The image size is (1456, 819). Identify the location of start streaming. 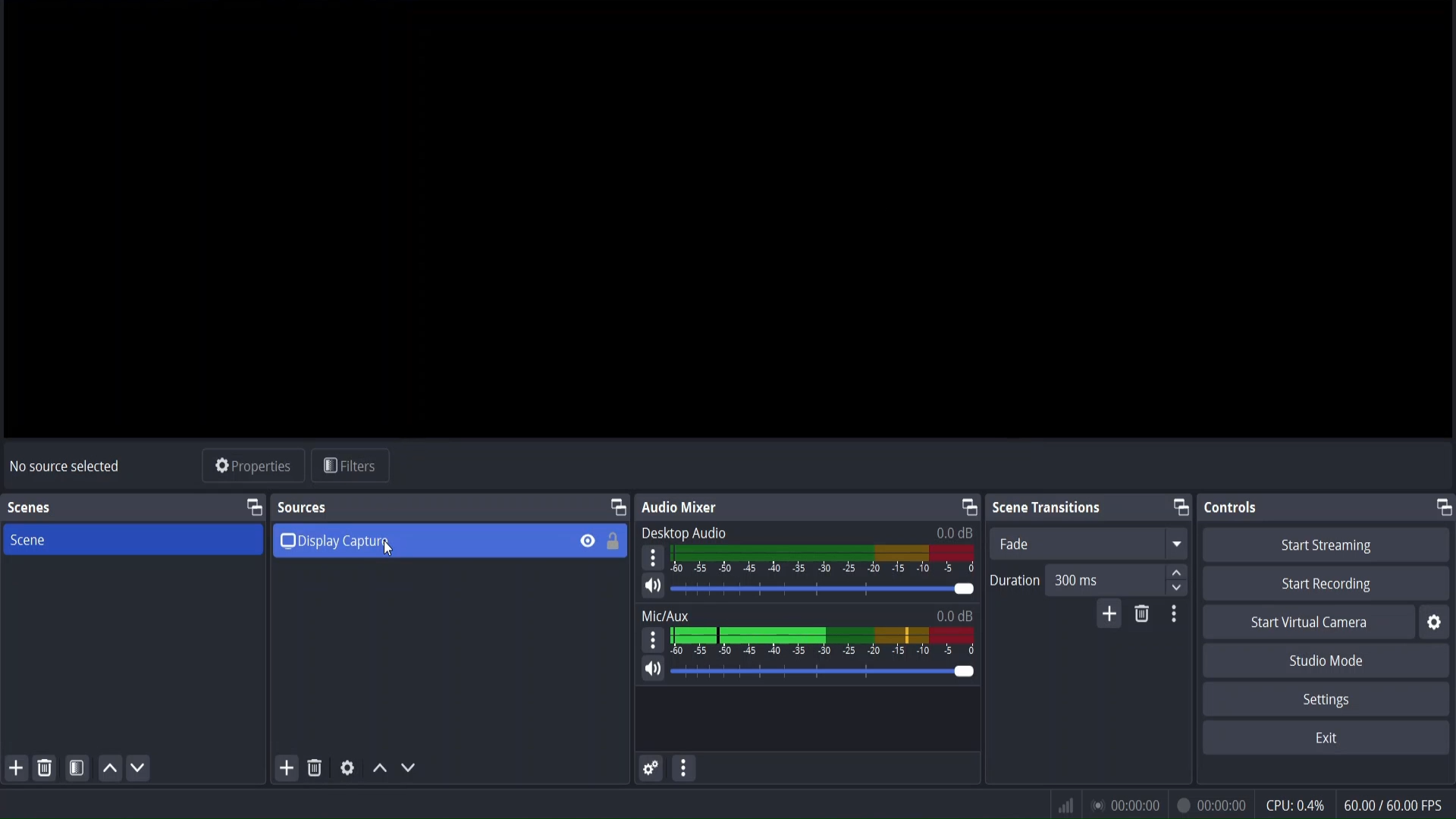
(1328, 545).